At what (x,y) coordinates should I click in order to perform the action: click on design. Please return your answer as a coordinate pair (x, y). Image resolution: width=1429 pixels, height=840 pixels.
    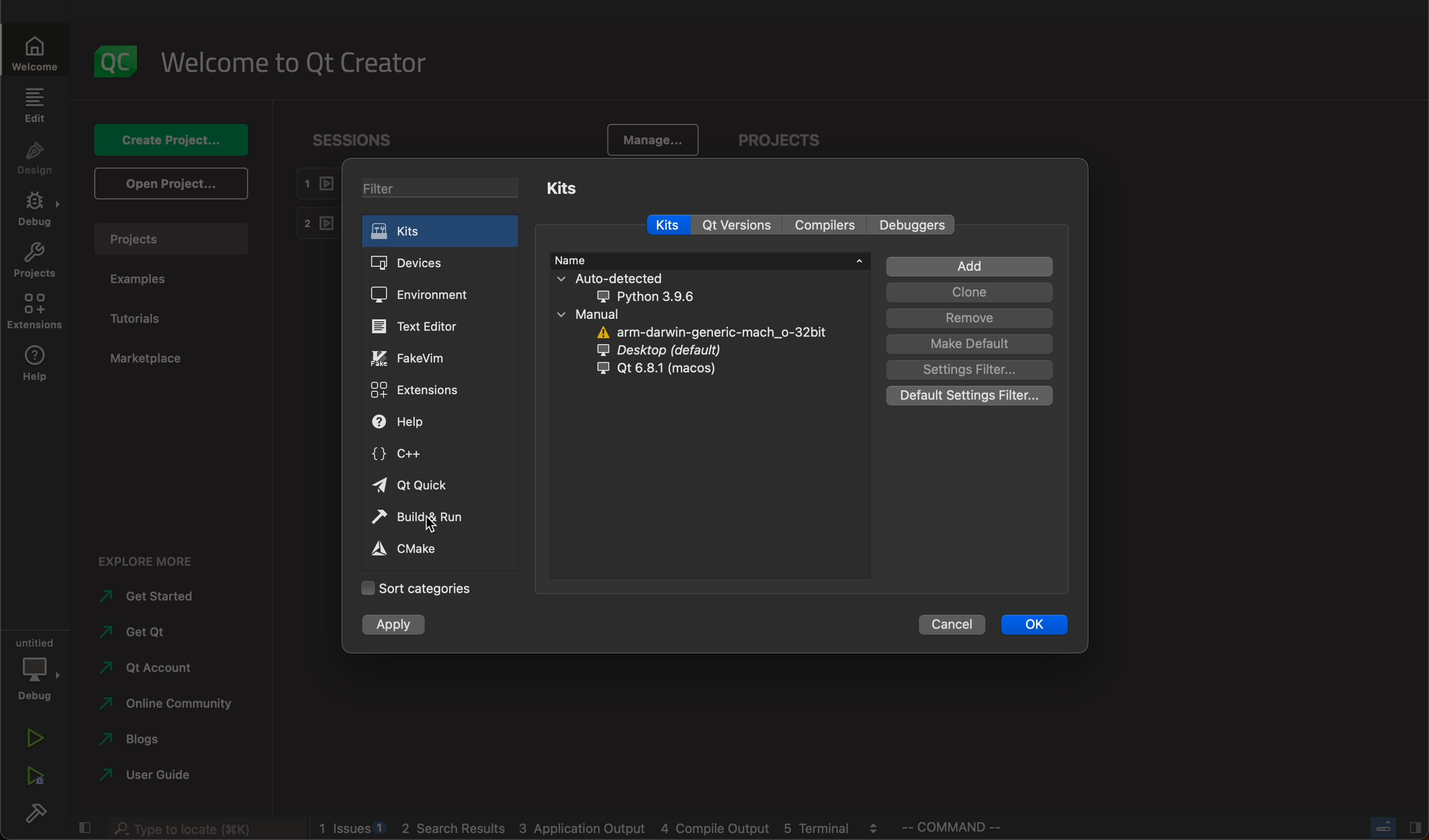
    Looking at the image, I should click on (36, 156).